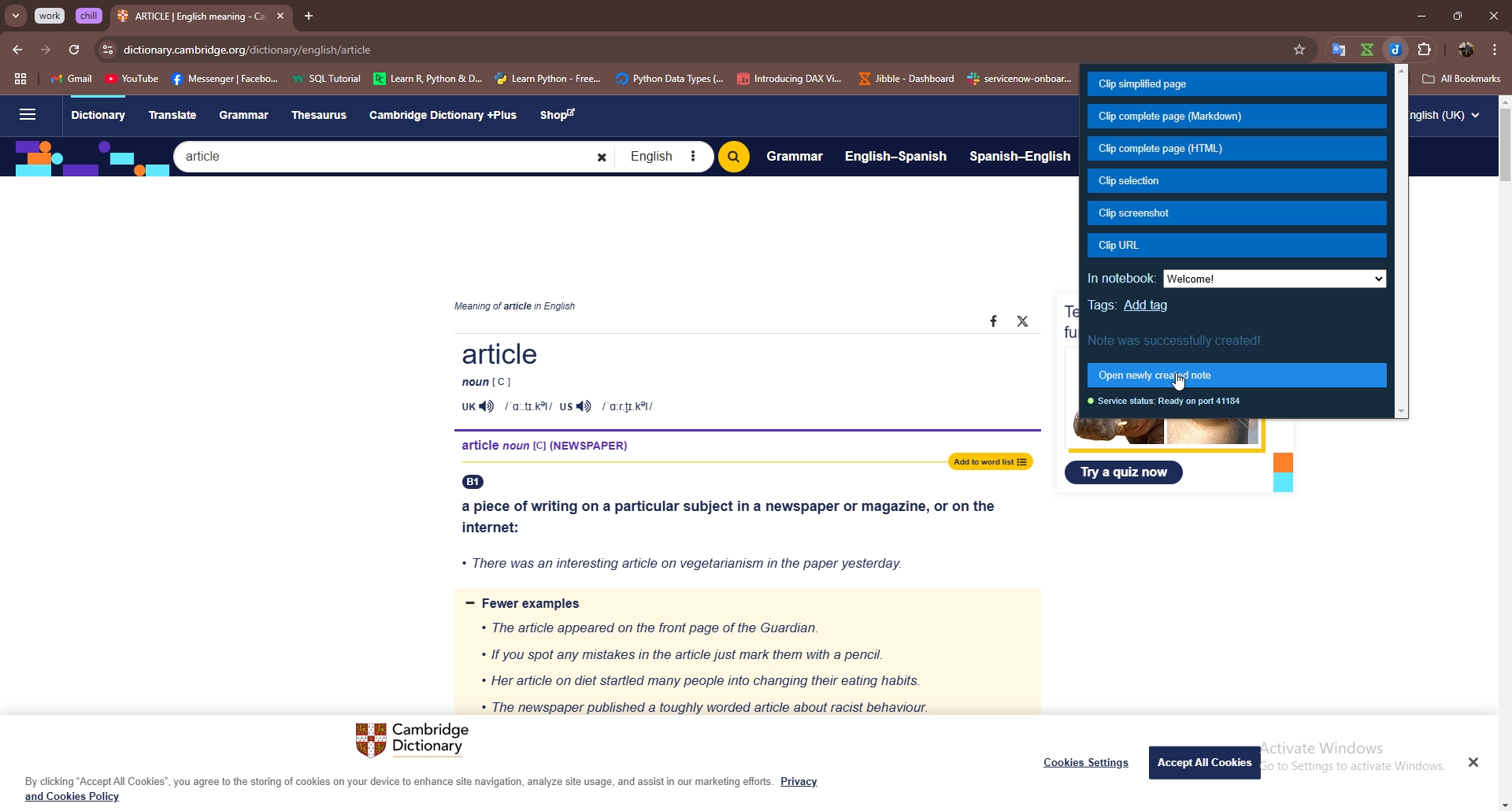 The height and width of the screenshot is (811, 1512). What do you see at coordinates (1206, 761) in the screenshot?
I see ` Accept All Cookies` at bounding box center [1206, 761].